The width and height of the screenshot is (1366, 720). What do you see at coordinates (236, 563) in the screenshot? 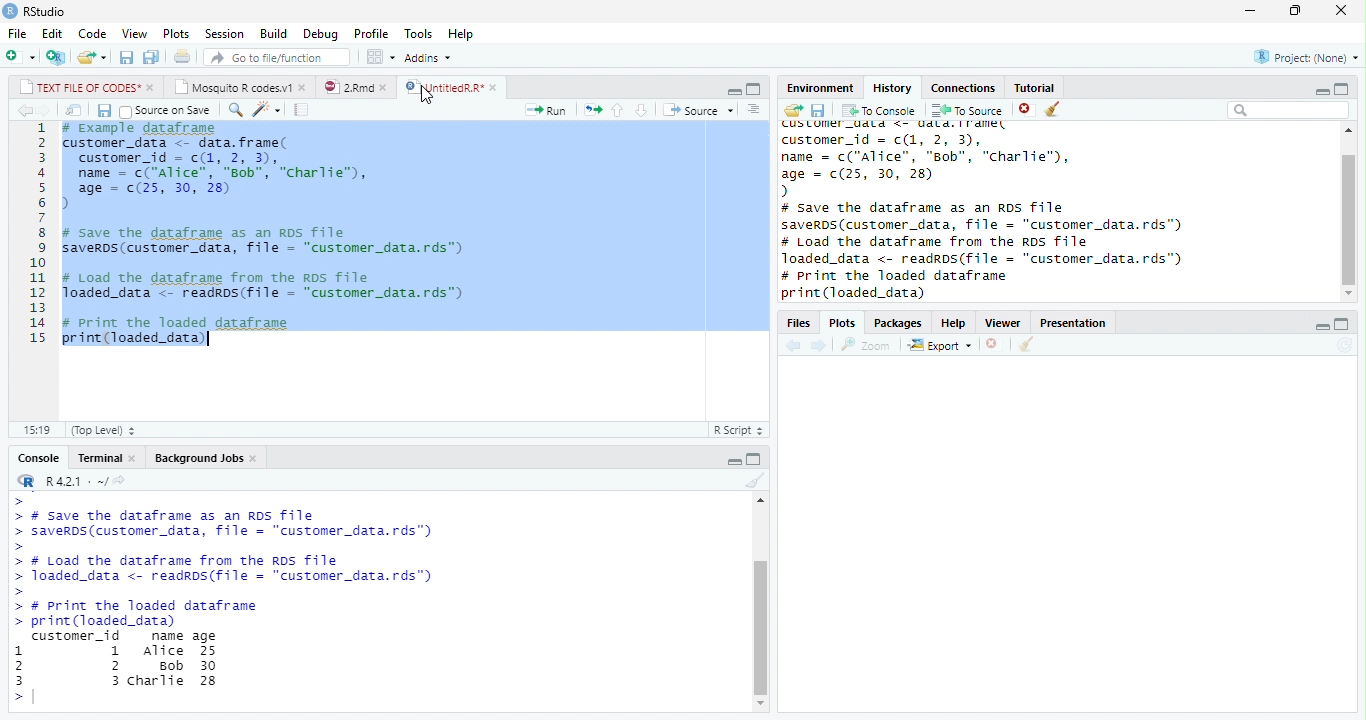
I see `>> # Load the datarrame Trom the RDS Tile> loaded_data <- readRDs(file = "customer_data.rds")` at bounding box center [236, 563].